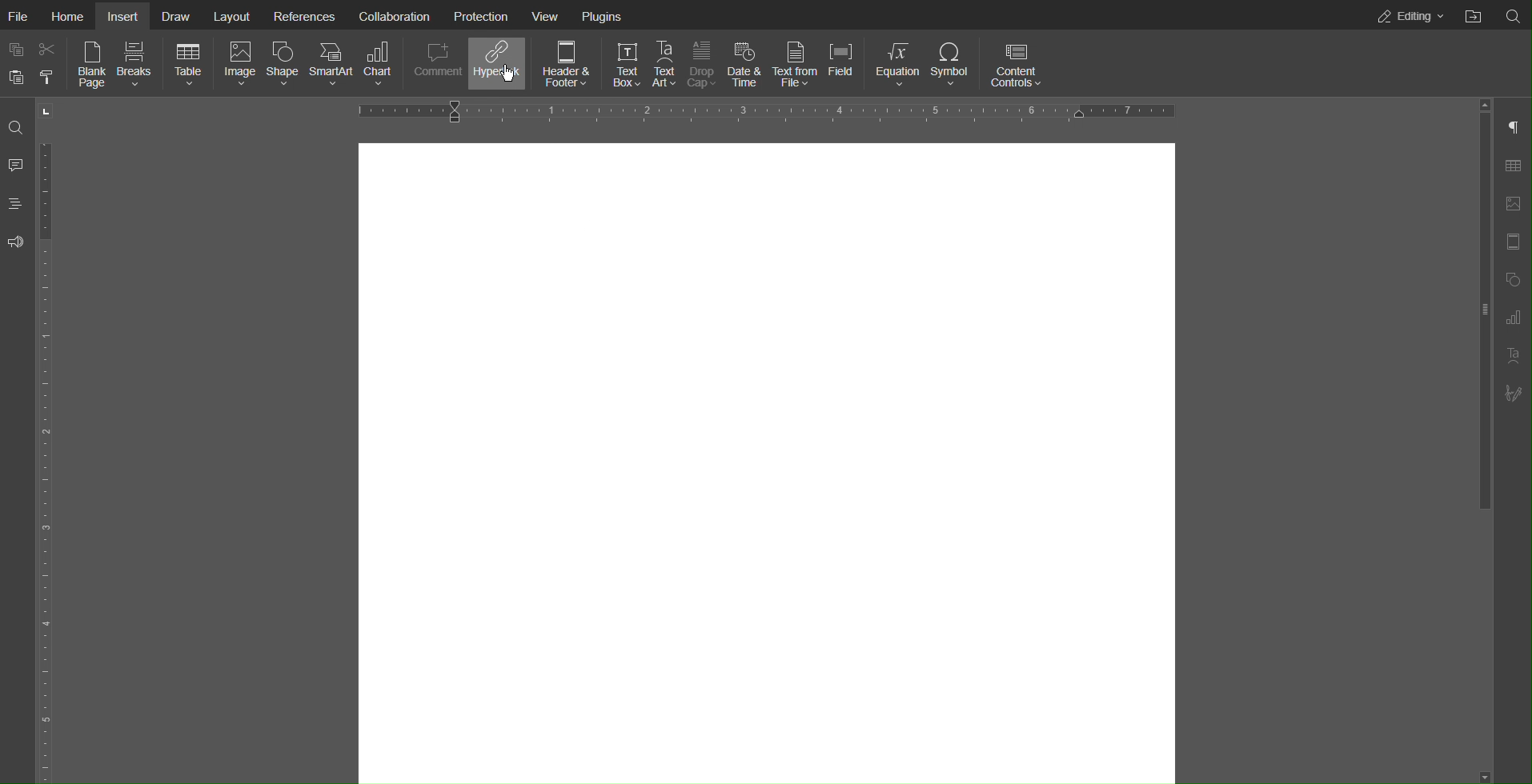 The width and height of the screenshot is (1532, 784). Describe the element at coordinates (241, 65) in the screenshot. I see `Image` at that location.